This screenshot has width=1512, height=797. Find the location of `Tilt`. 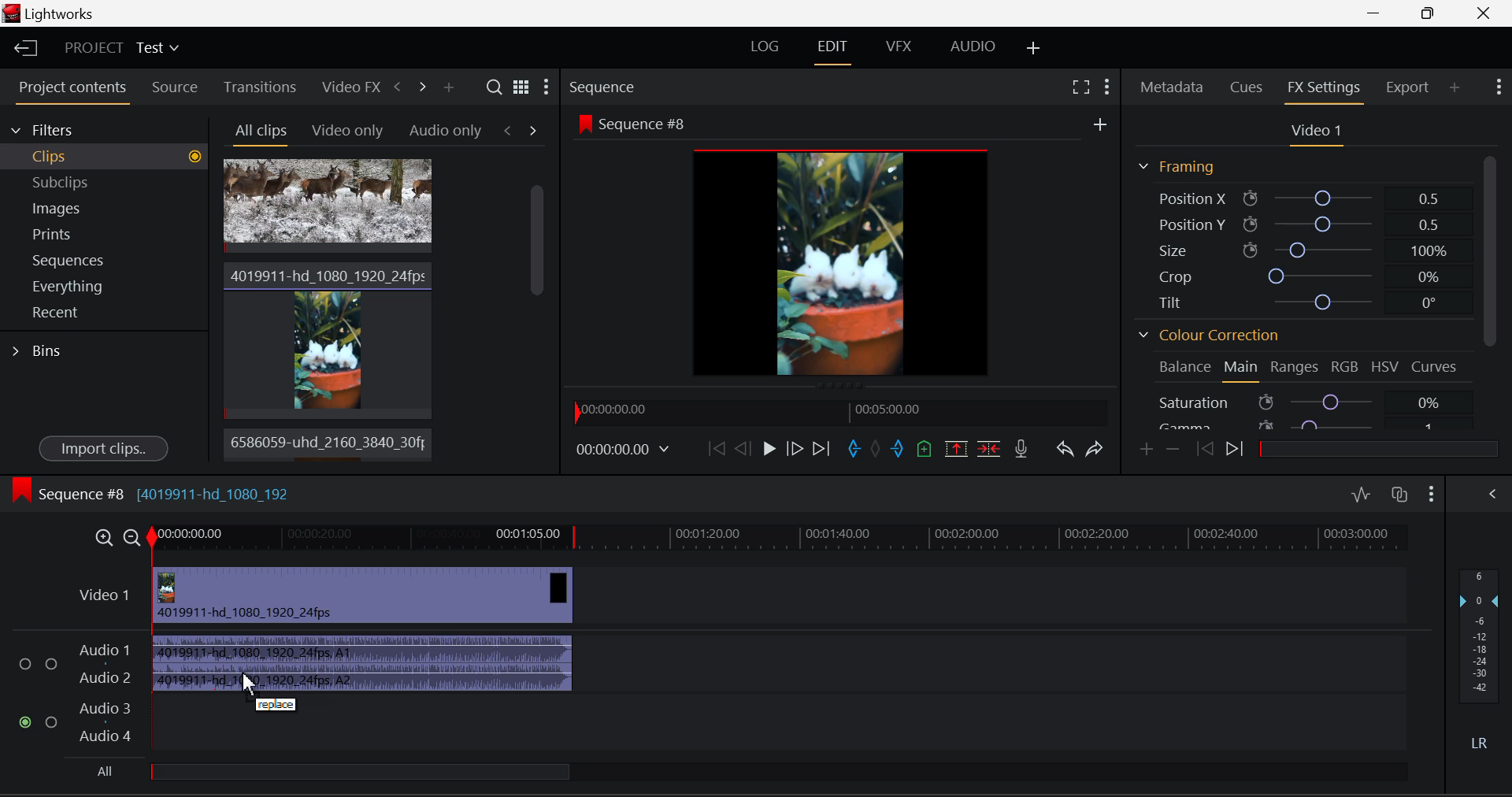

Tilt is located at coordinates (1306, 301).